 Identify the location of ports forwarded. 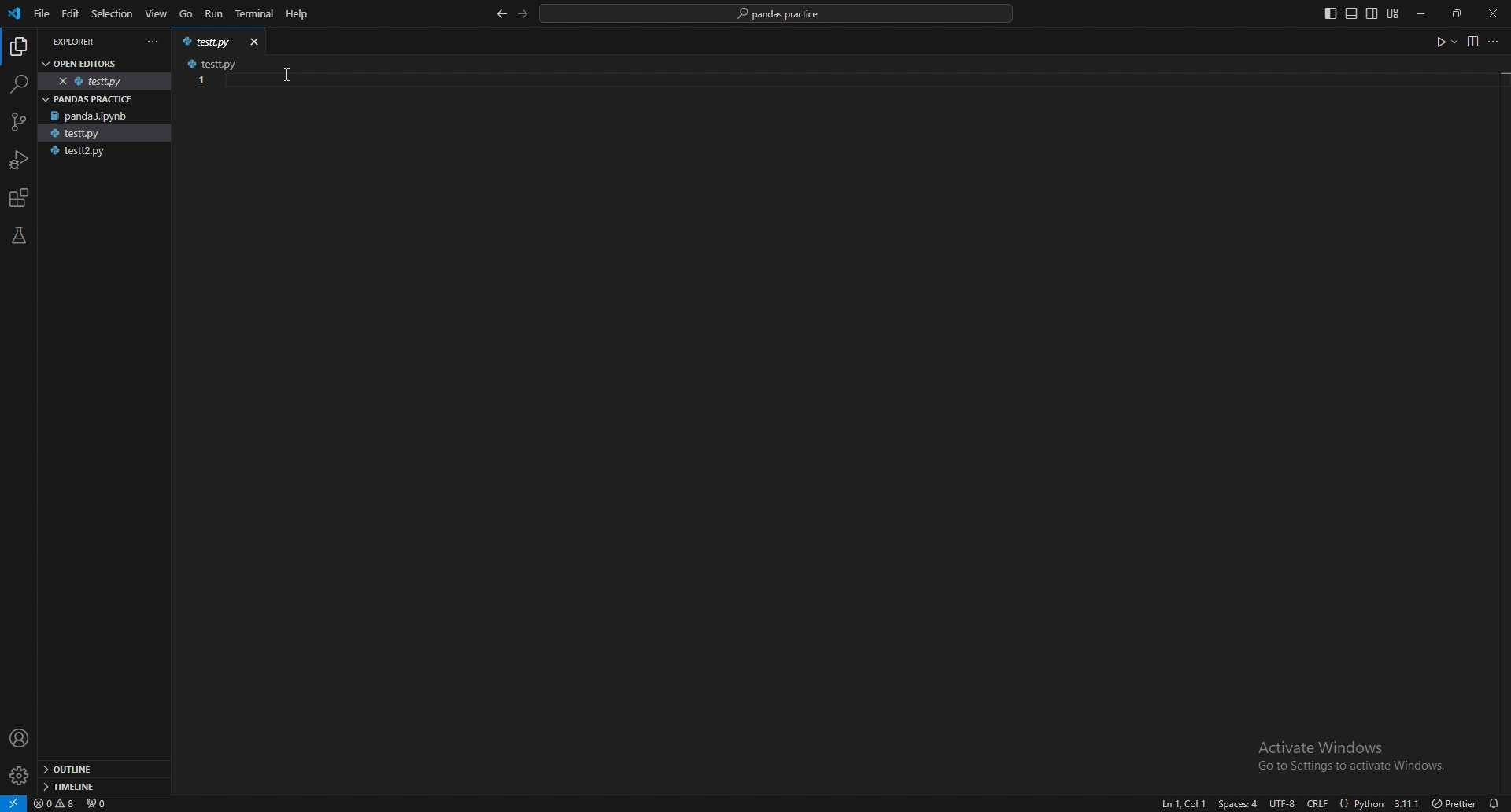
(95, 802).